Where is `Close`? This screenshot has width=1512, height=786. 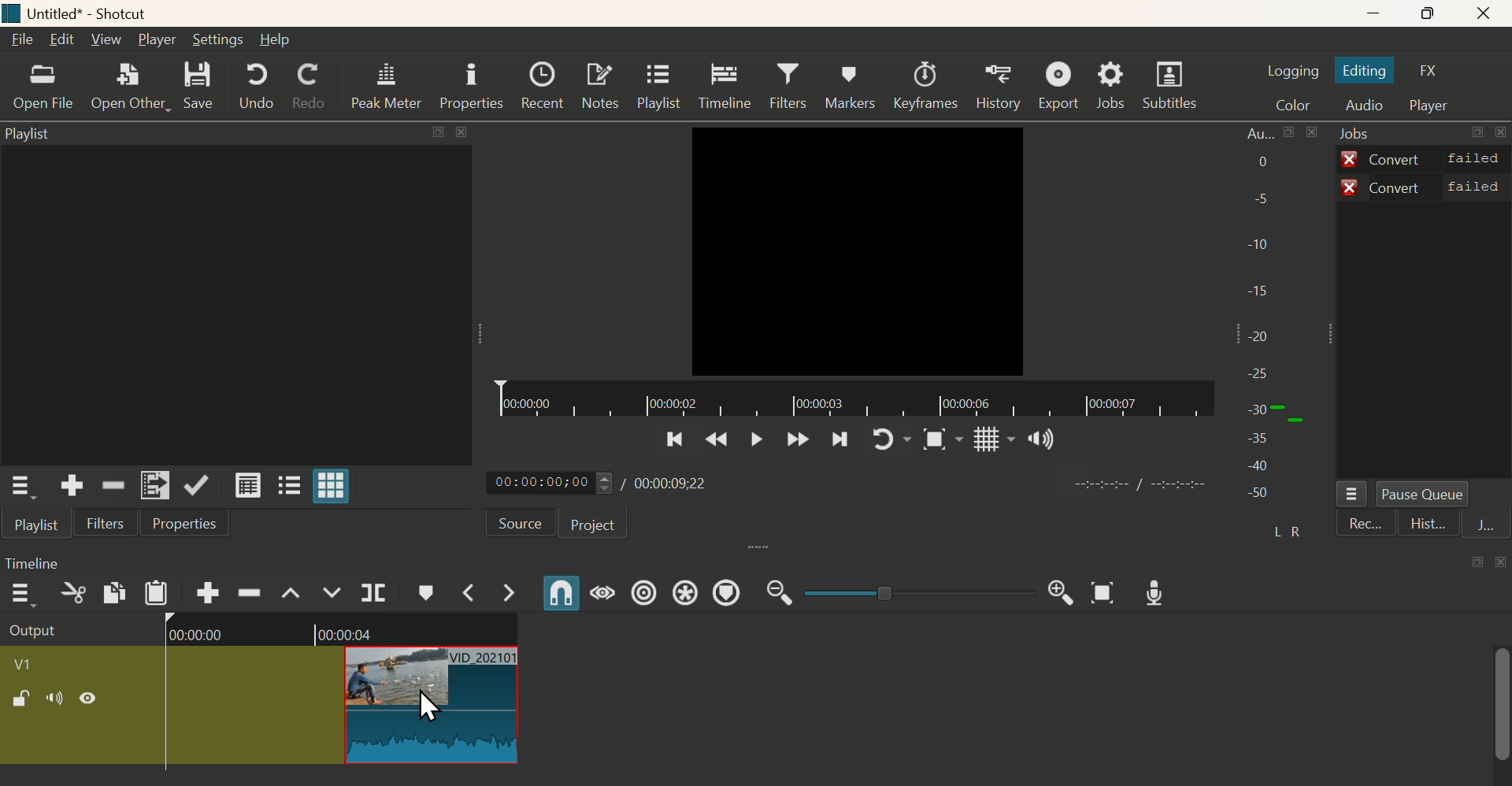
Close is located at coordinates (1492, 13).